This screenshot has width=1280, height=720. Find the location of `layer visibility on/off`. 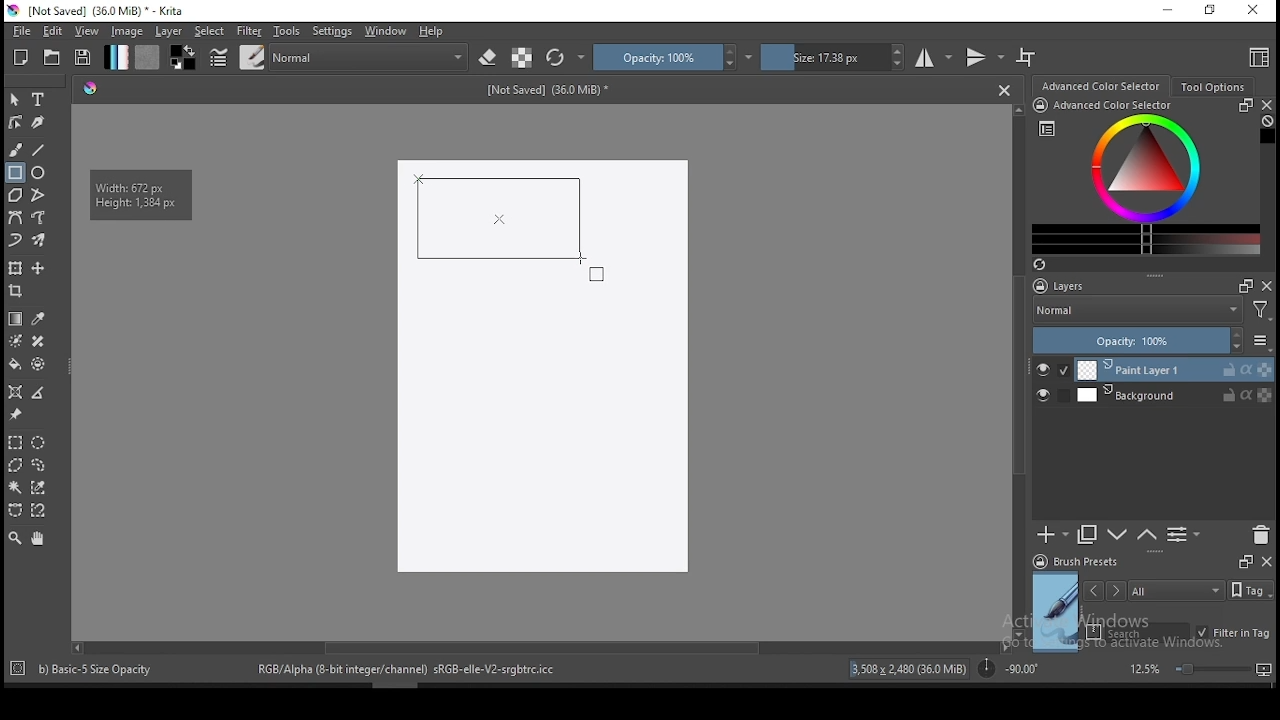

layer visibility on/off is located at coordinates (1053, 370).